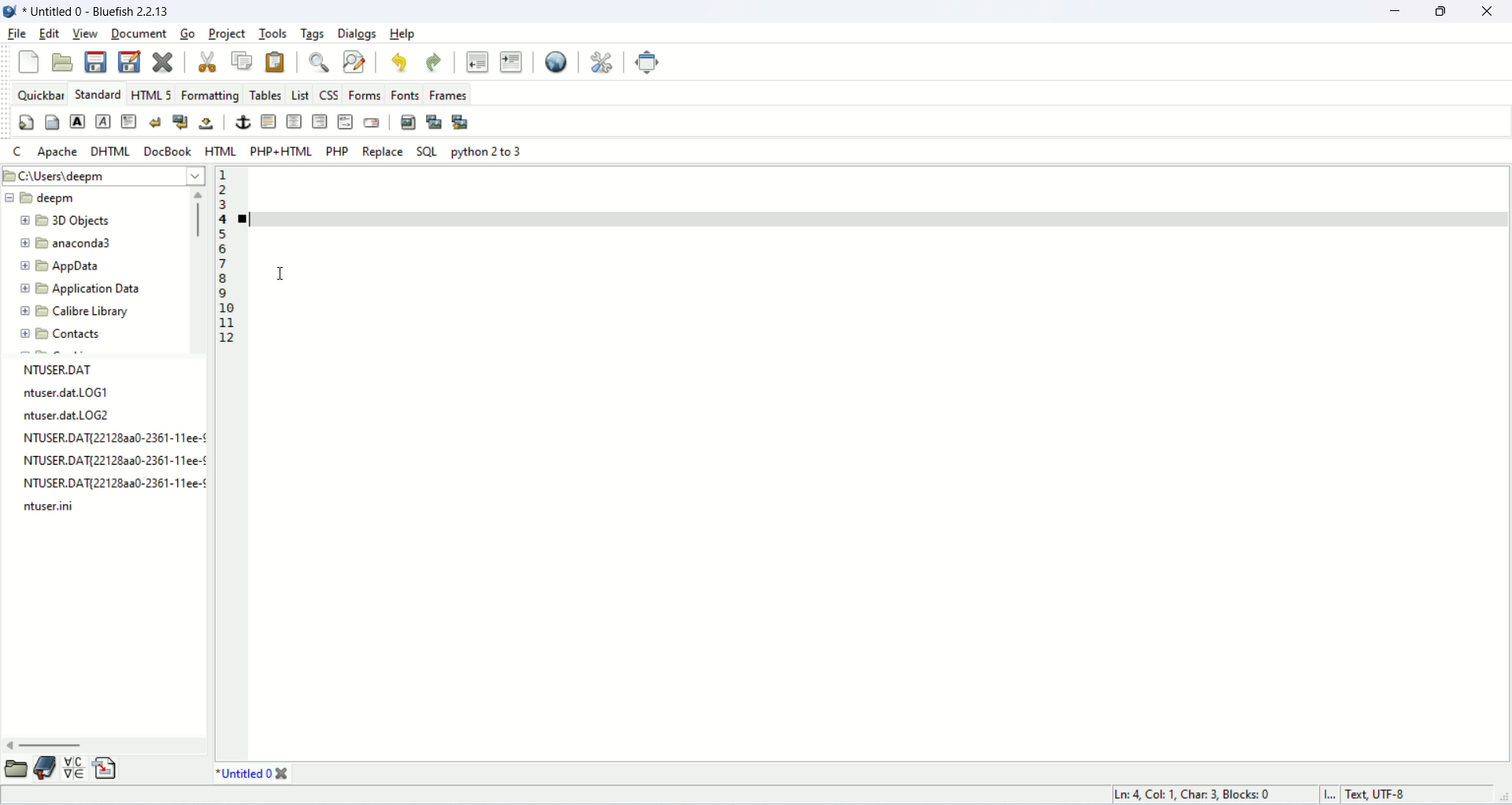 This screenshot has width=1512, height=805. I want to click on dhtml, so click(113, 151).